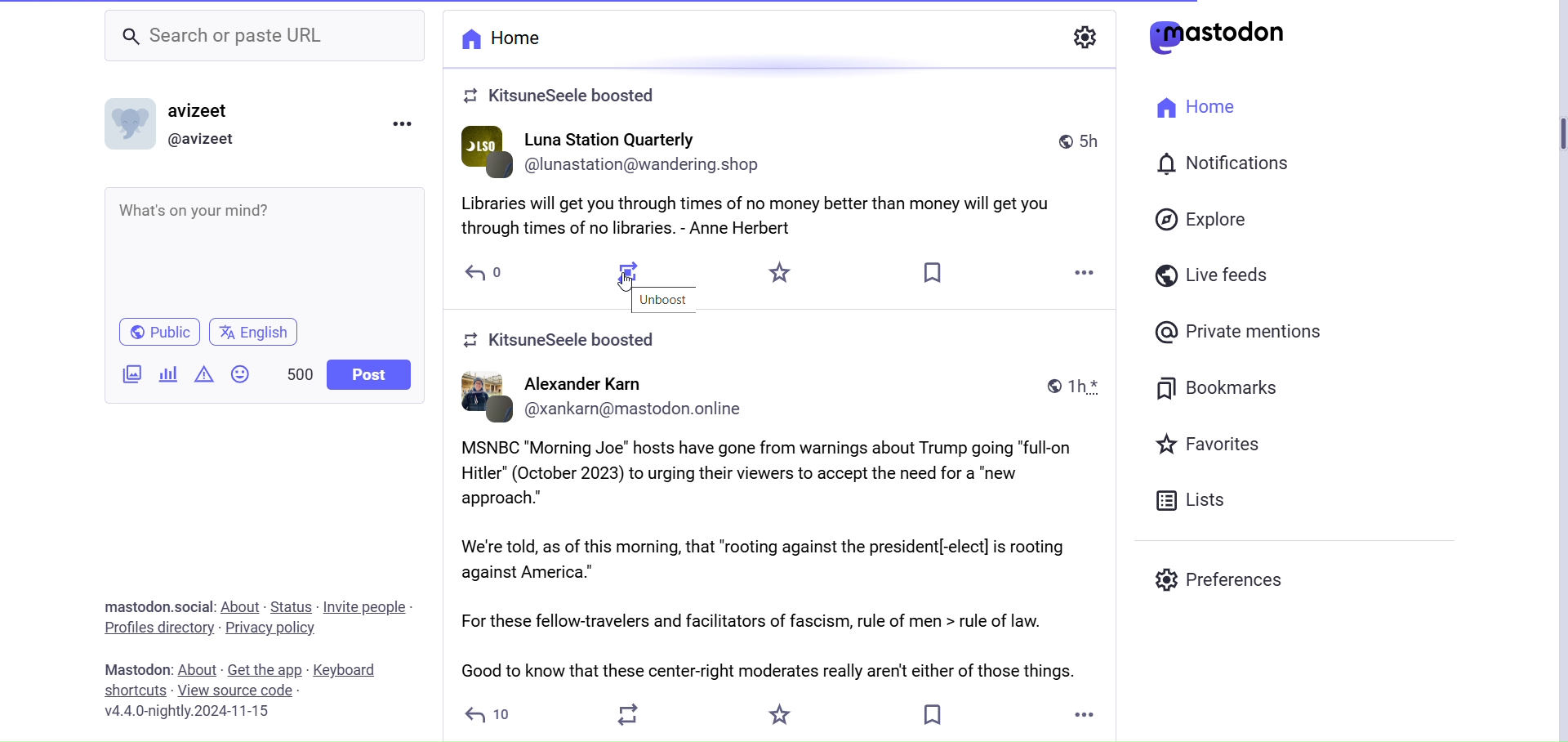 The height and width of the screenshot is (742, 1568). Describe the element at coordinates (269, 250) in the screenshot. I see `What's on your Mind` at that location.